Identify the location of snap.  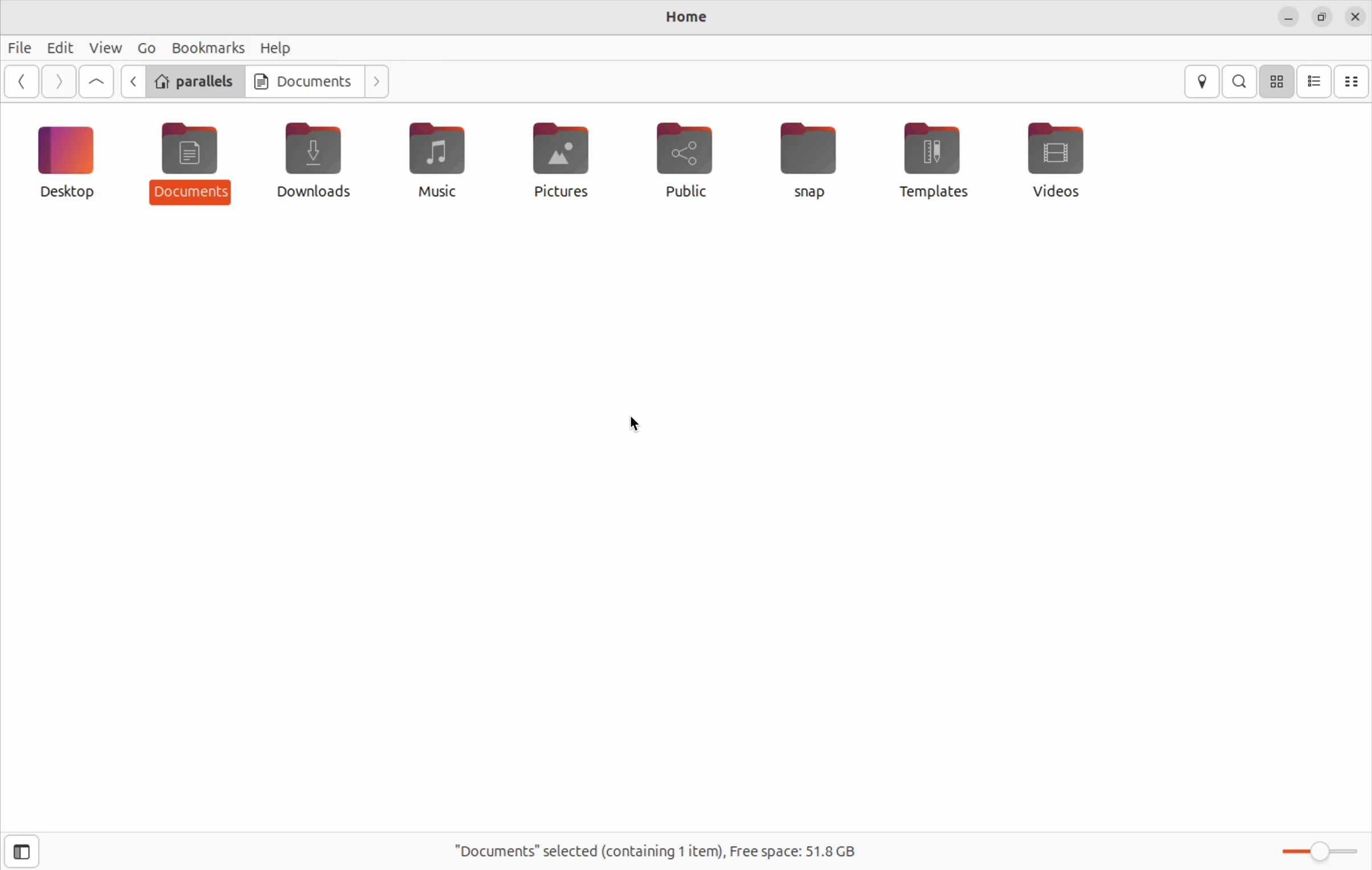
(813, 163).